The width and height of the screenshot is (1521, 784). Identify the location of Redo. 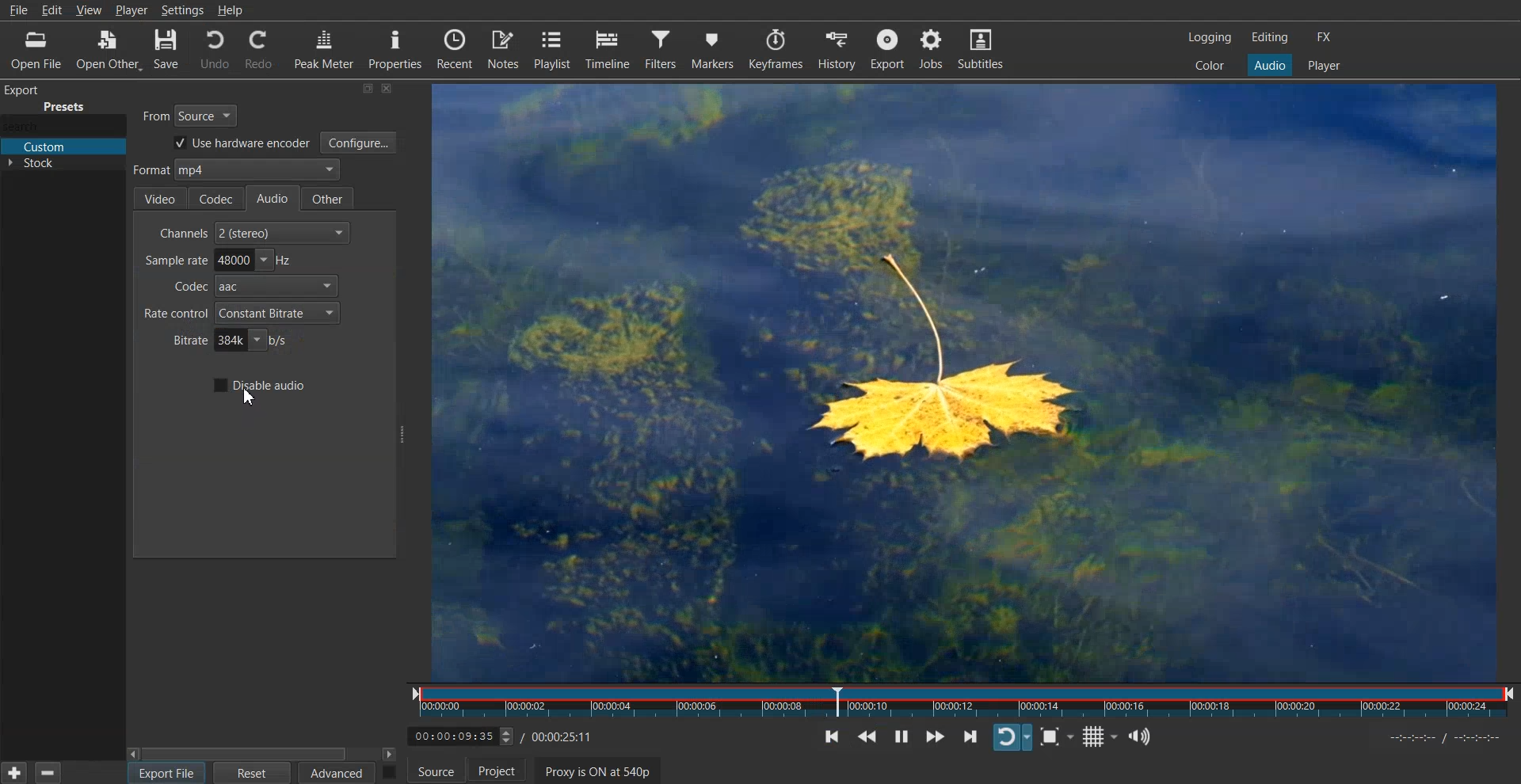
(257, 49).